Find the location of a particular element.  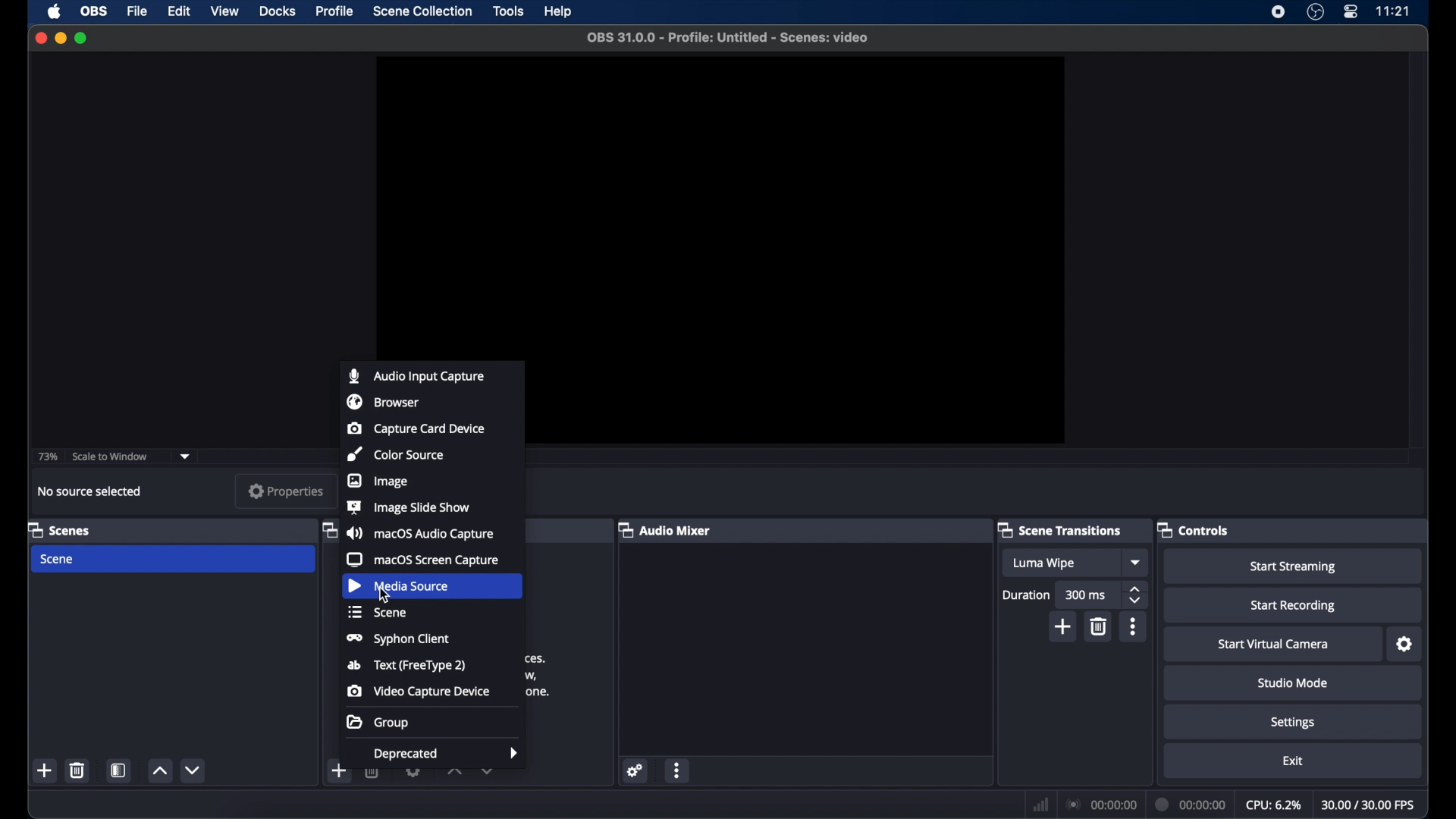

obs studio is located at coordinates (1316, 12).